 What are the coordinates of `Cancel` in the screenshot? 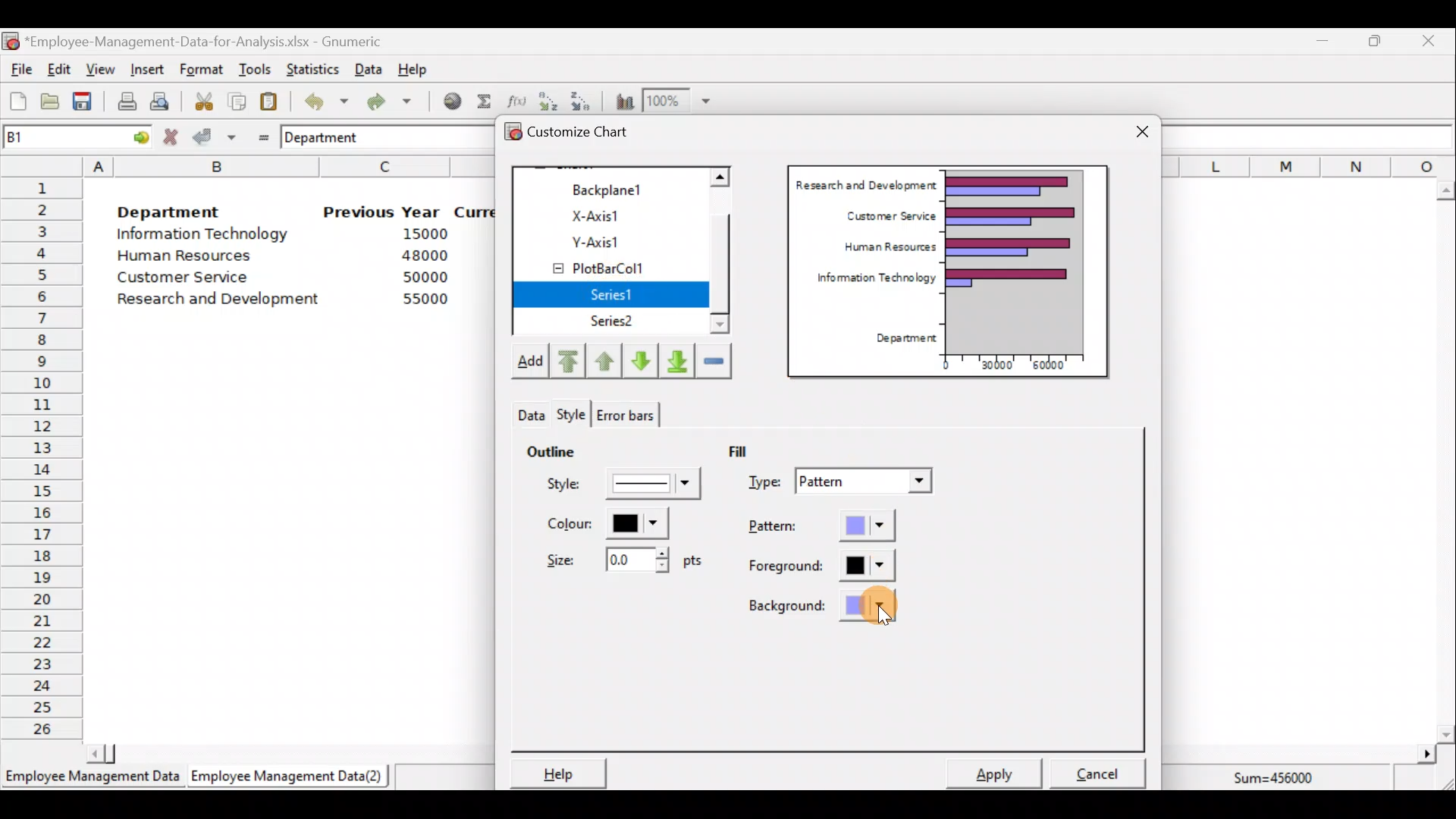 It's located at (1103, 769).